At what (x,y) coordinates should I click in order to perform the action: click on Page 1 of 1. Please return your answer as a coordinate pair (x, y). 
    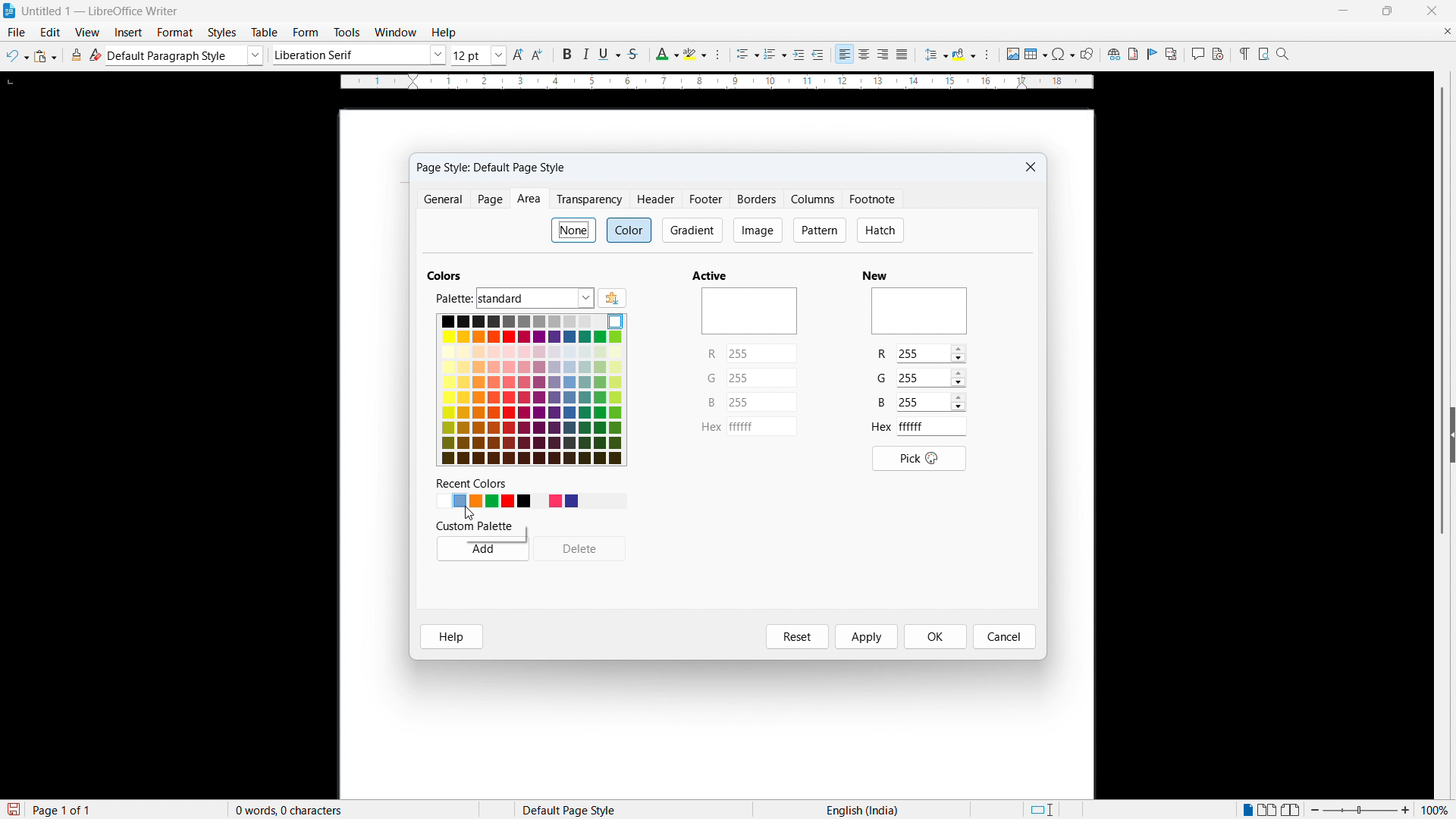
    Looking at the image, I should click on (63, 809).